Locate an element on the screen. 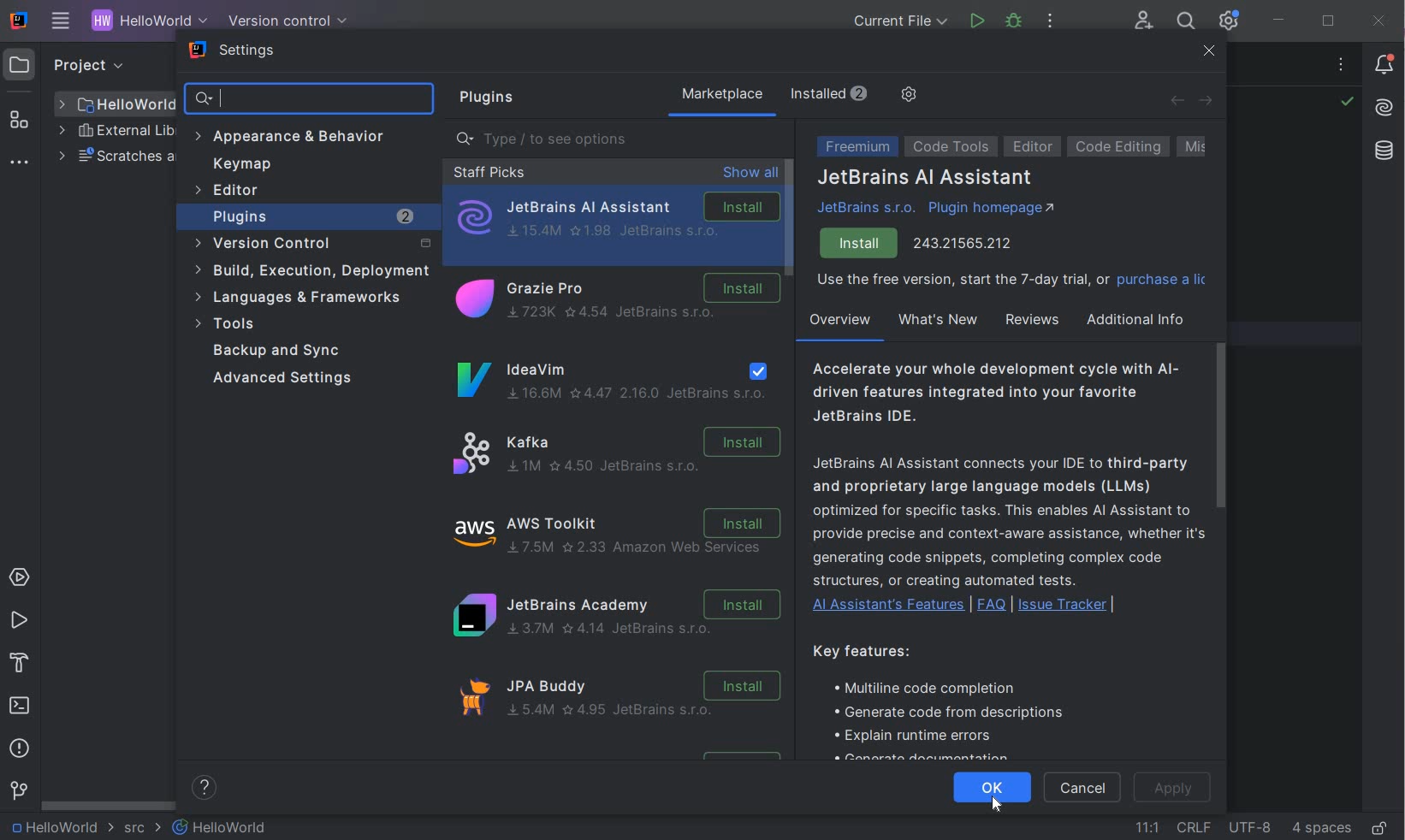  EXTERNAL LIBRARIES is located at coordinates (116, 133).